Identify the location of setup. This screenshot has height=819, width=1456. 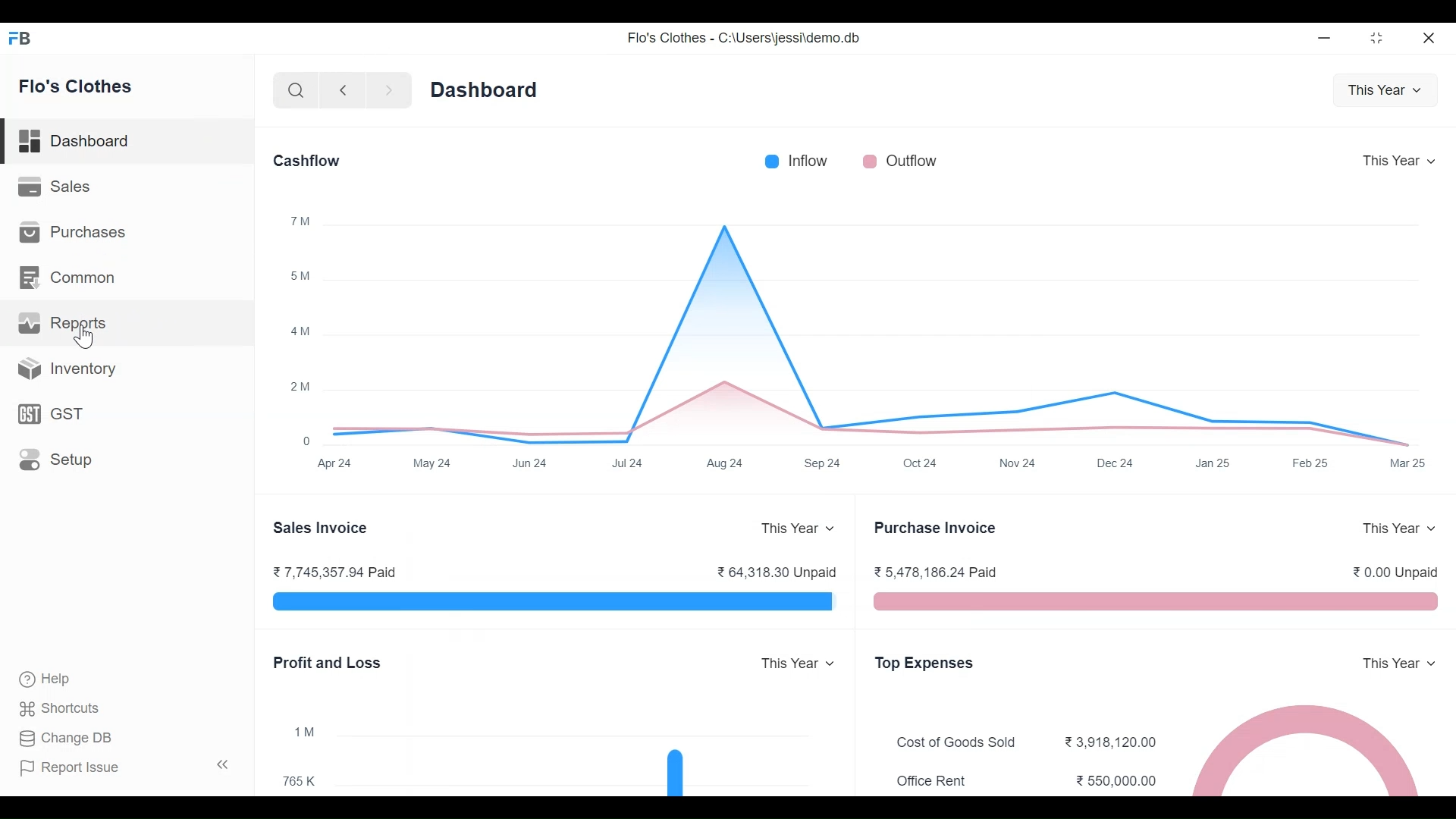
(58, 460).